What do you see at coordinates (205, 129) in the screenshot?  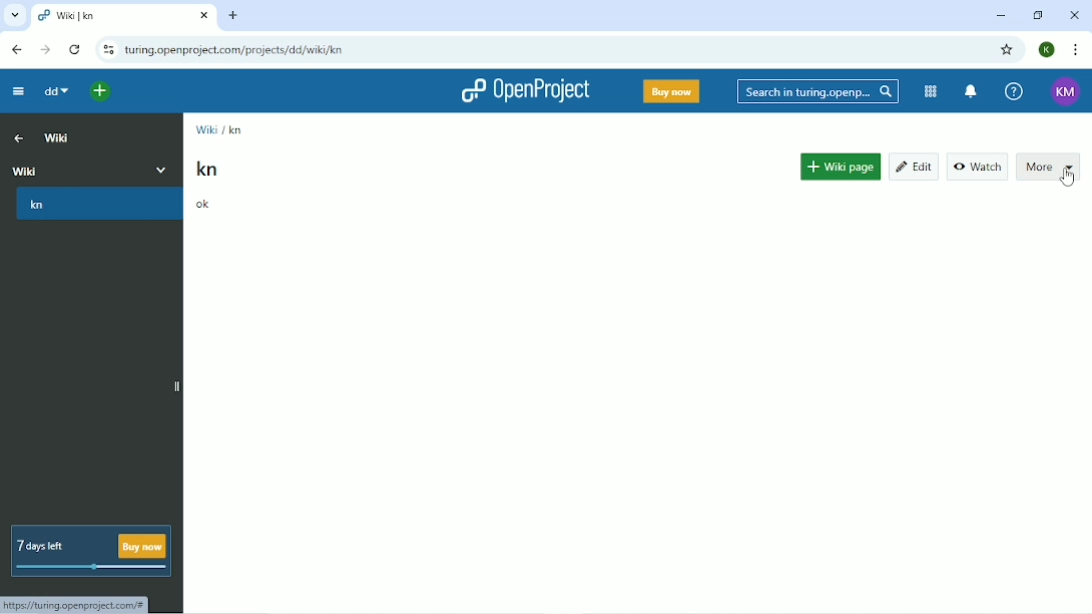 I see `Wiki` at bounding box center [205, 129].